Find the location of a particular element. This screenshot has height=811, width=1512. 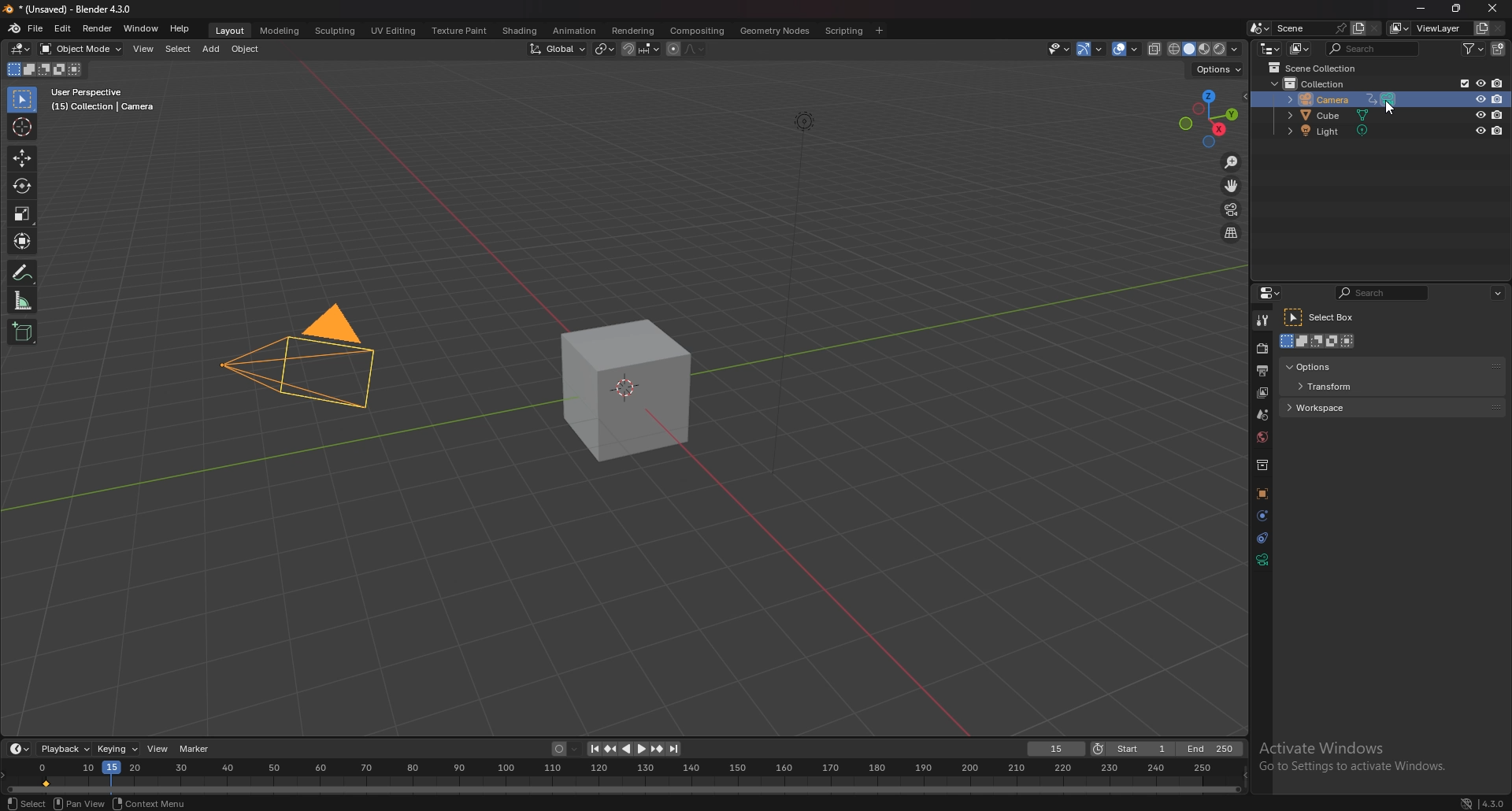

annotate is located at coordinates (24, 272).